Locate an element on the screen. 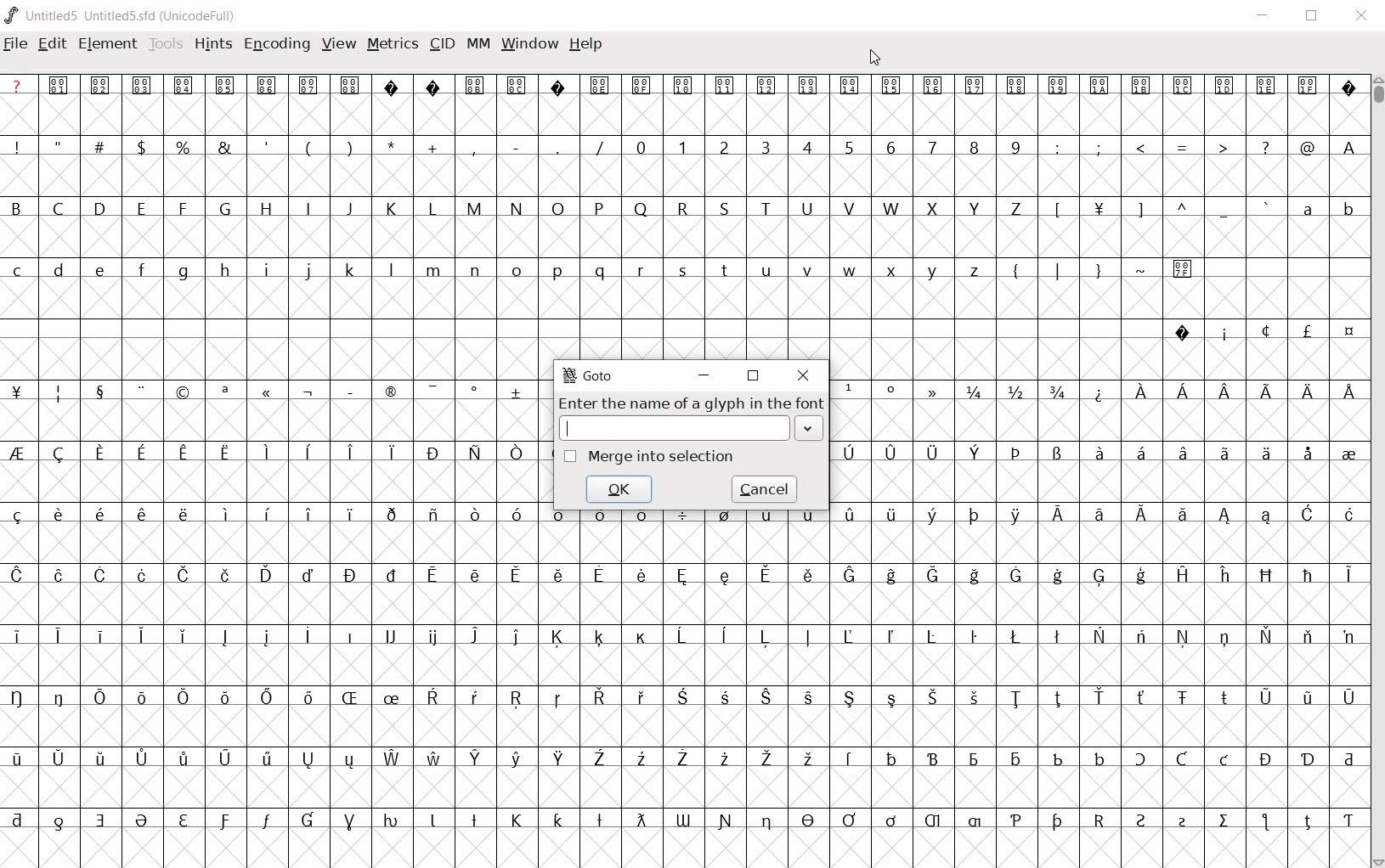 The height and width of the screenshot is (868, 1385). Symbol is located at coordinates (934, 453).